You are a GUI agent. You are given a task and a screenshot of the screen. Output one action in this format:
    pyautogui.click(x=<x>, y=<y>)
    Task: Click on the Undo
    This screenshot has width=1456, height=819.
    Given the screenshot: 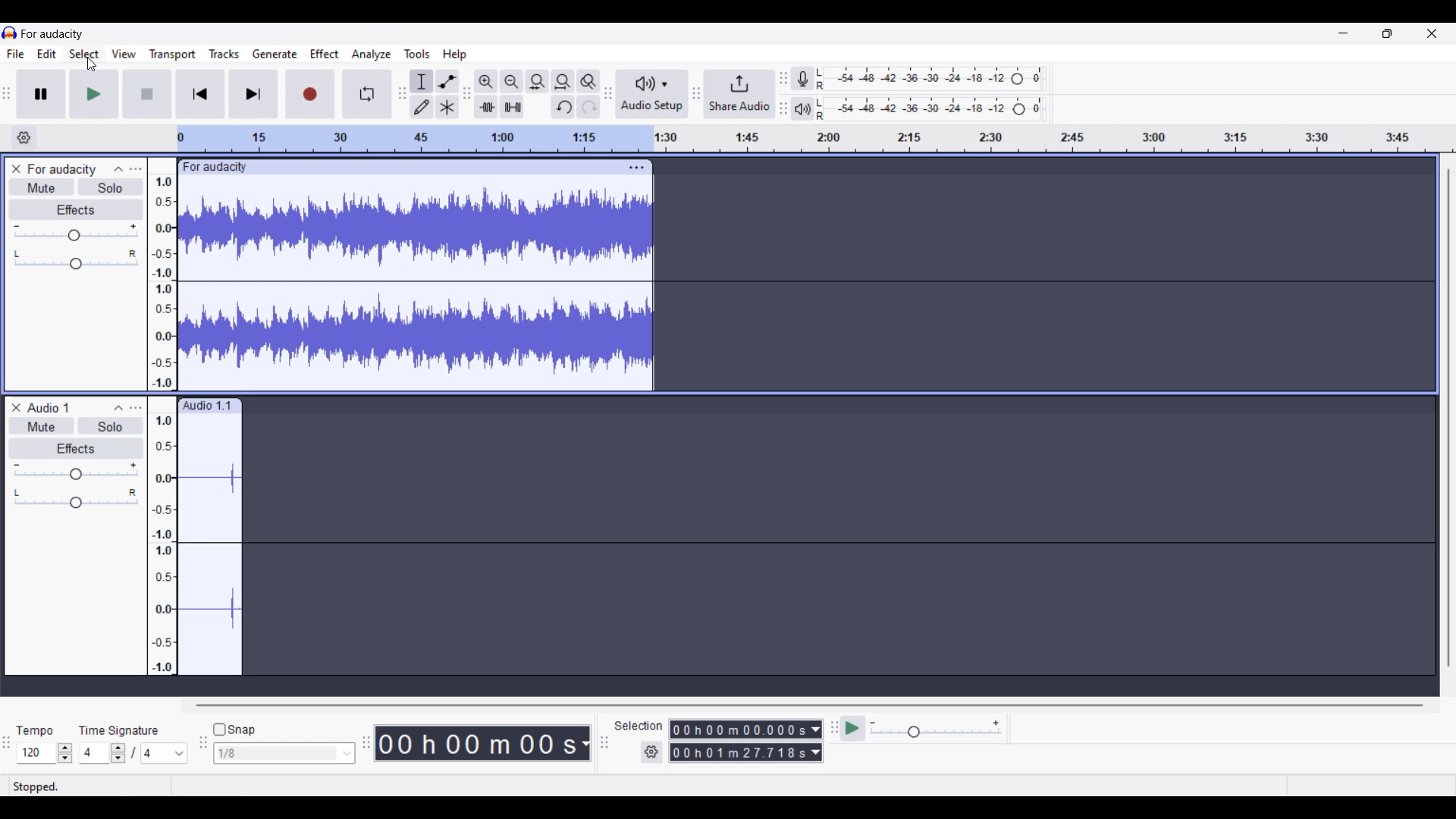 What is the action you would take?
    pyautogui.click(x=563, y=107)
    